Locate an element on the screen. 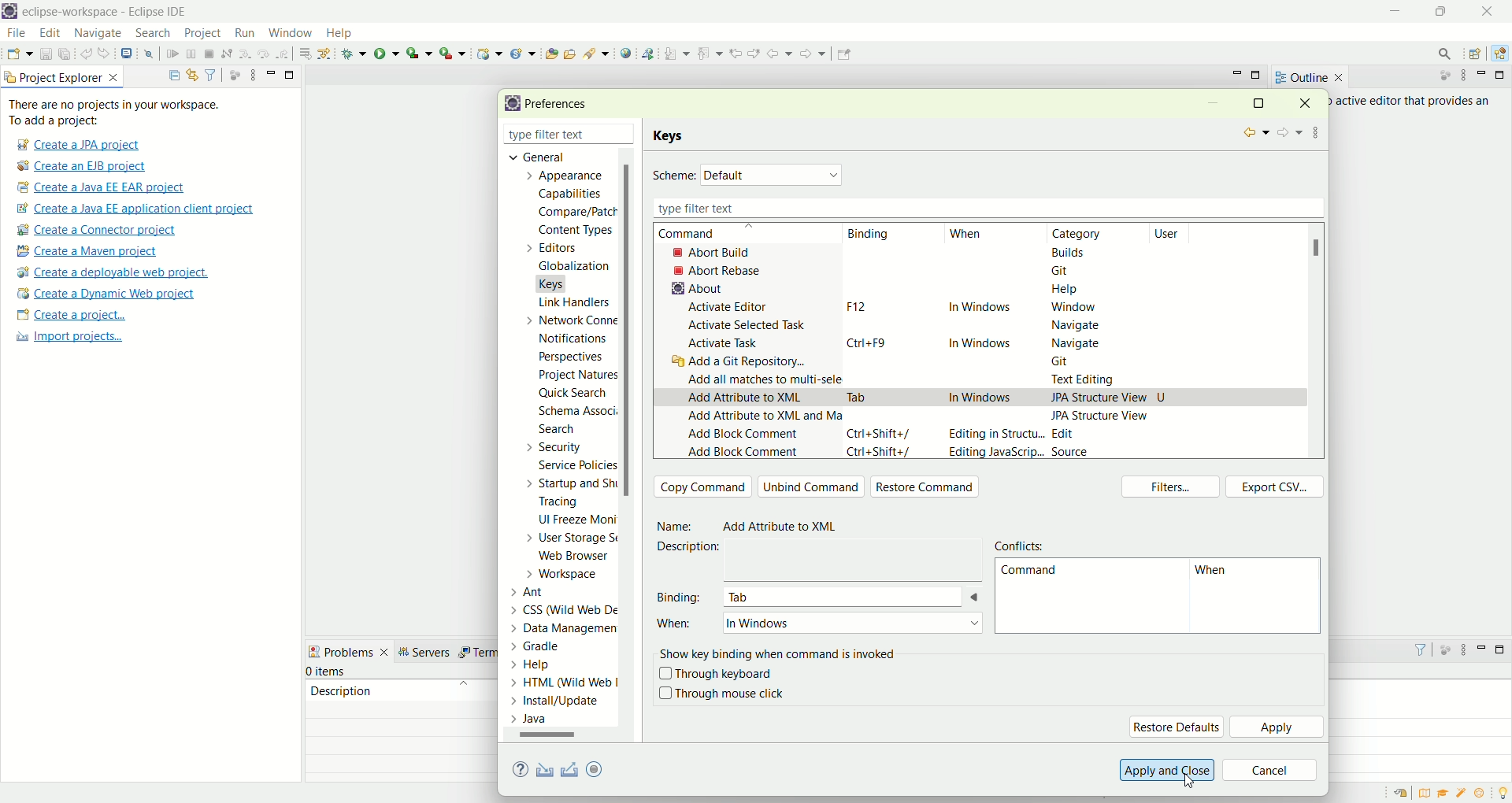 This screenshot has height=803, width=1512. add a Git repository is located at coordinates (743, 363).